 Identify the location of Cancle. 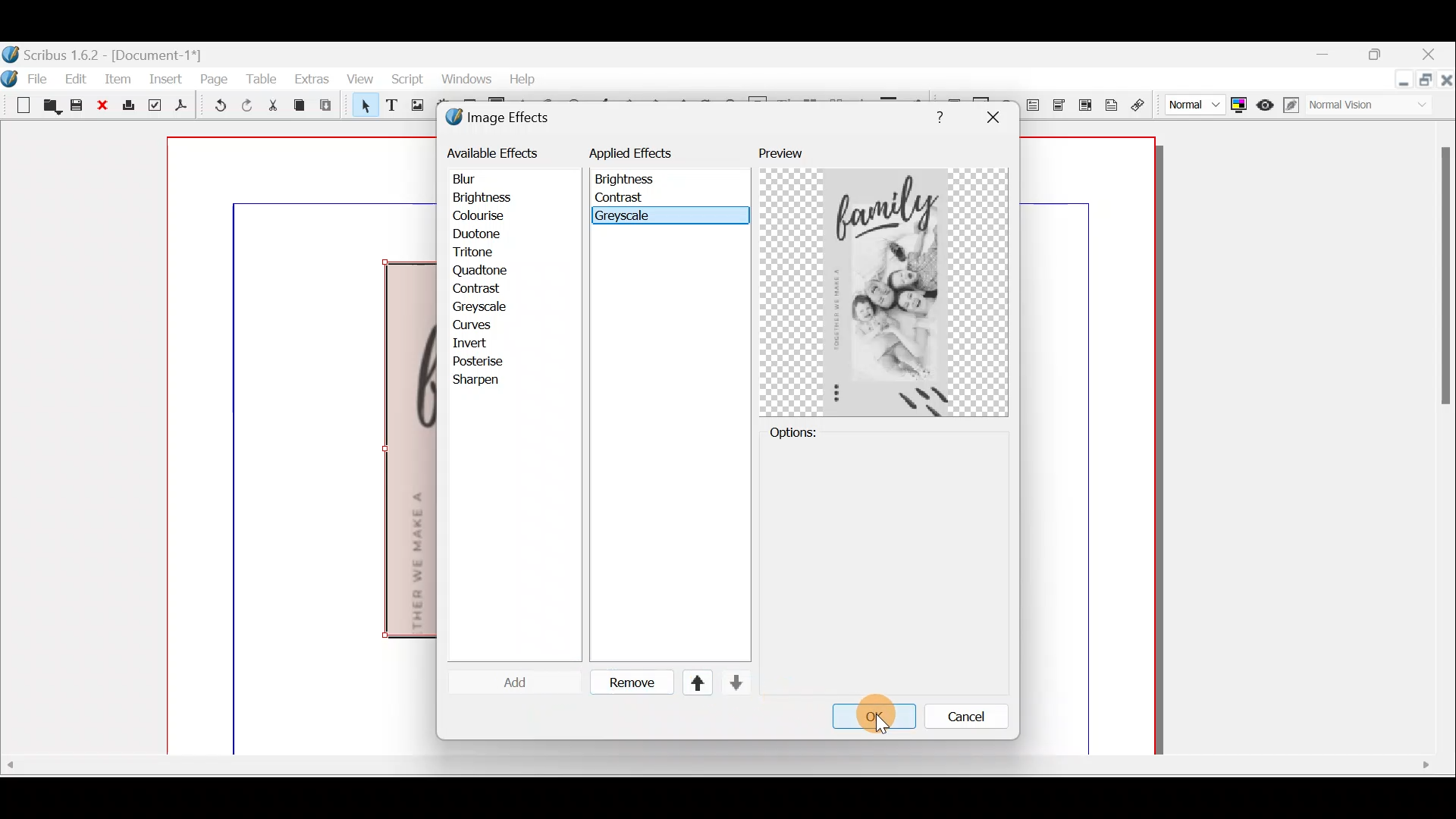
(967, 718).